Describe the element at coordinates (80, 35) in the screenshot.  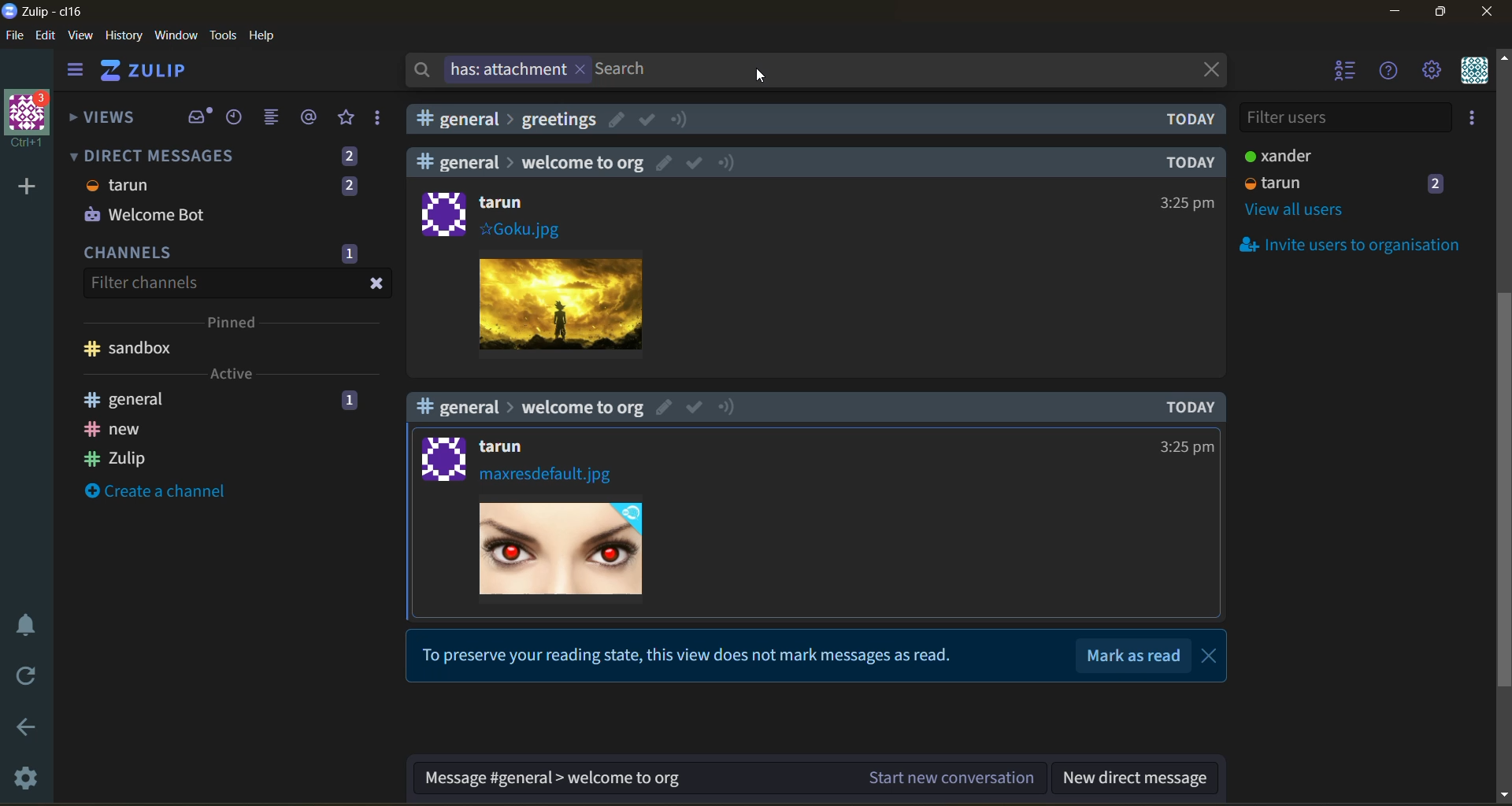
I see `view` at that location.